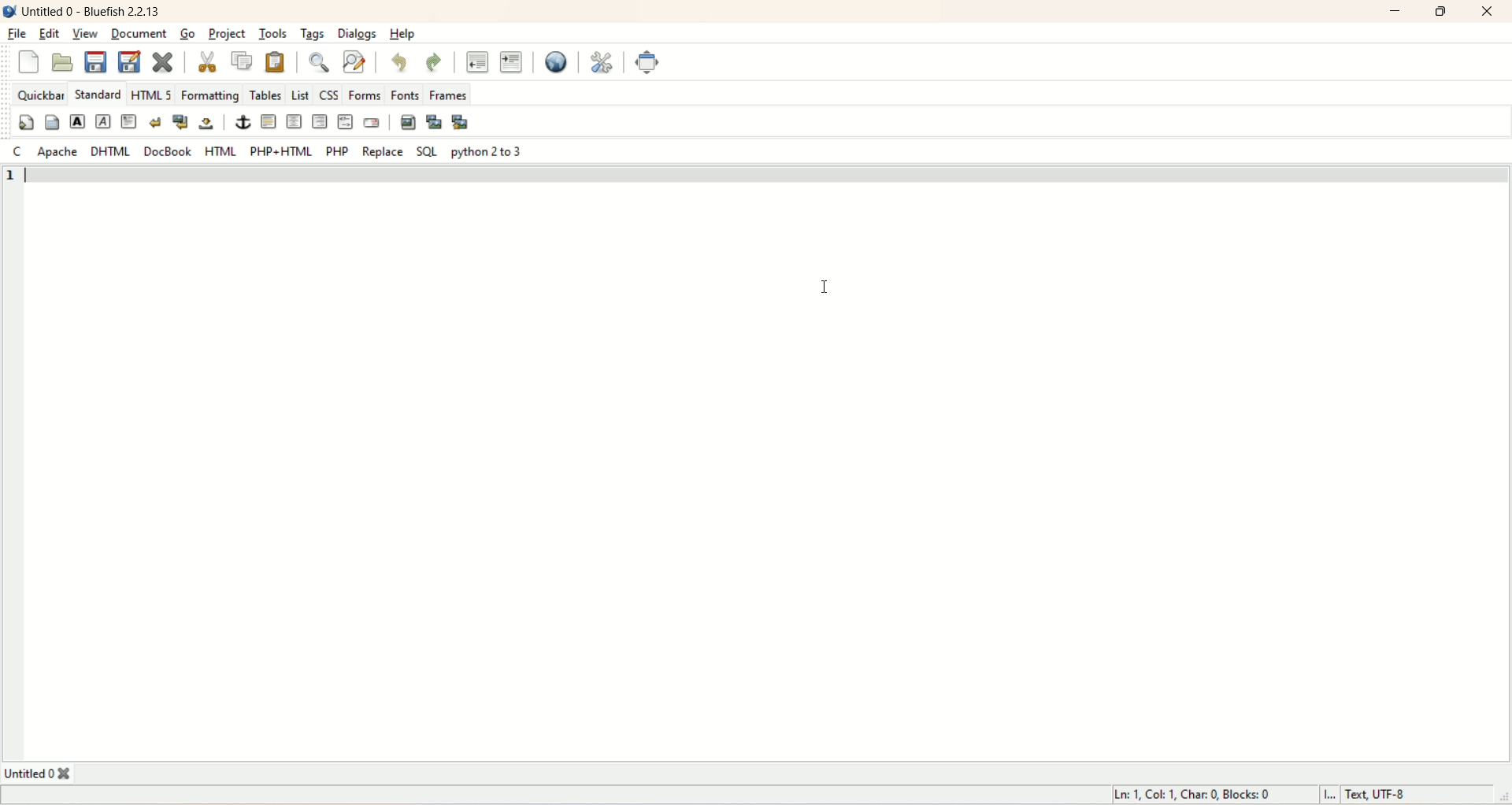  I want to click on dialogs, so click(355, 34).